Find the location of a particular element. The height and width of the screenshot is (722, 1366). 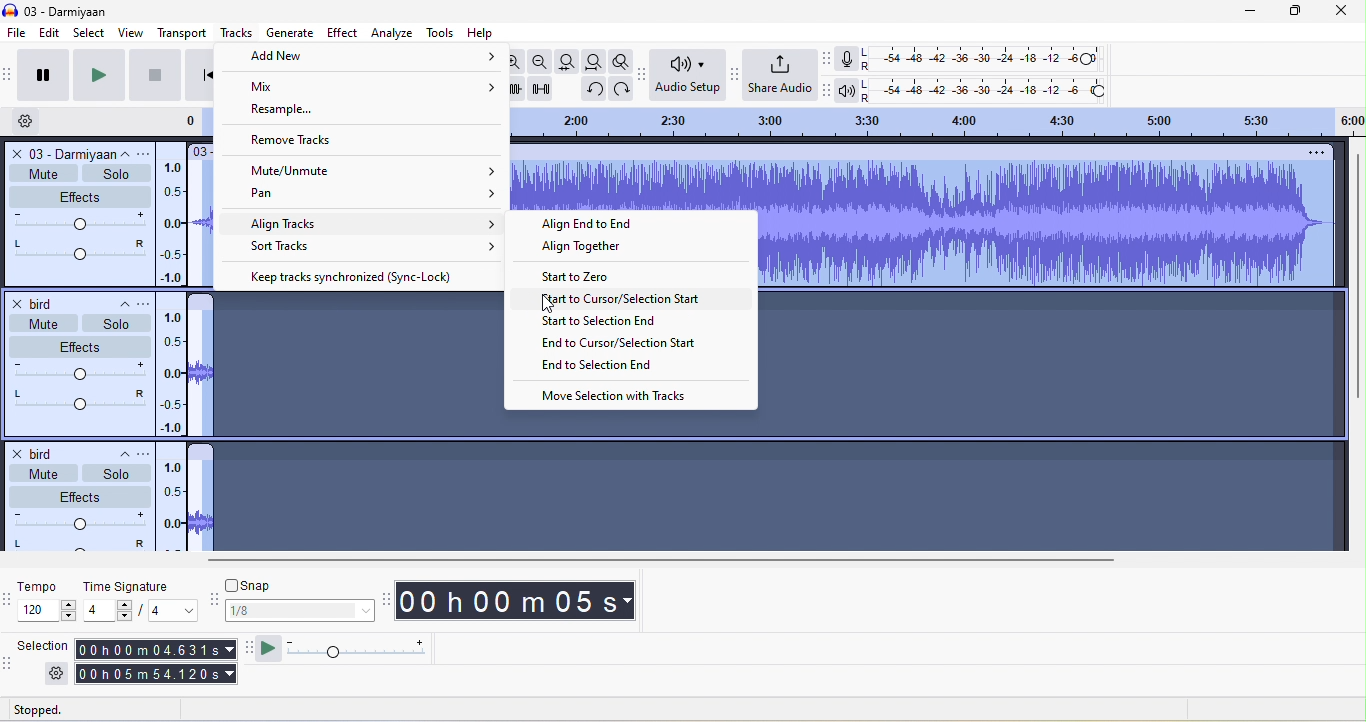

snap is located at coordinates (298, 584).